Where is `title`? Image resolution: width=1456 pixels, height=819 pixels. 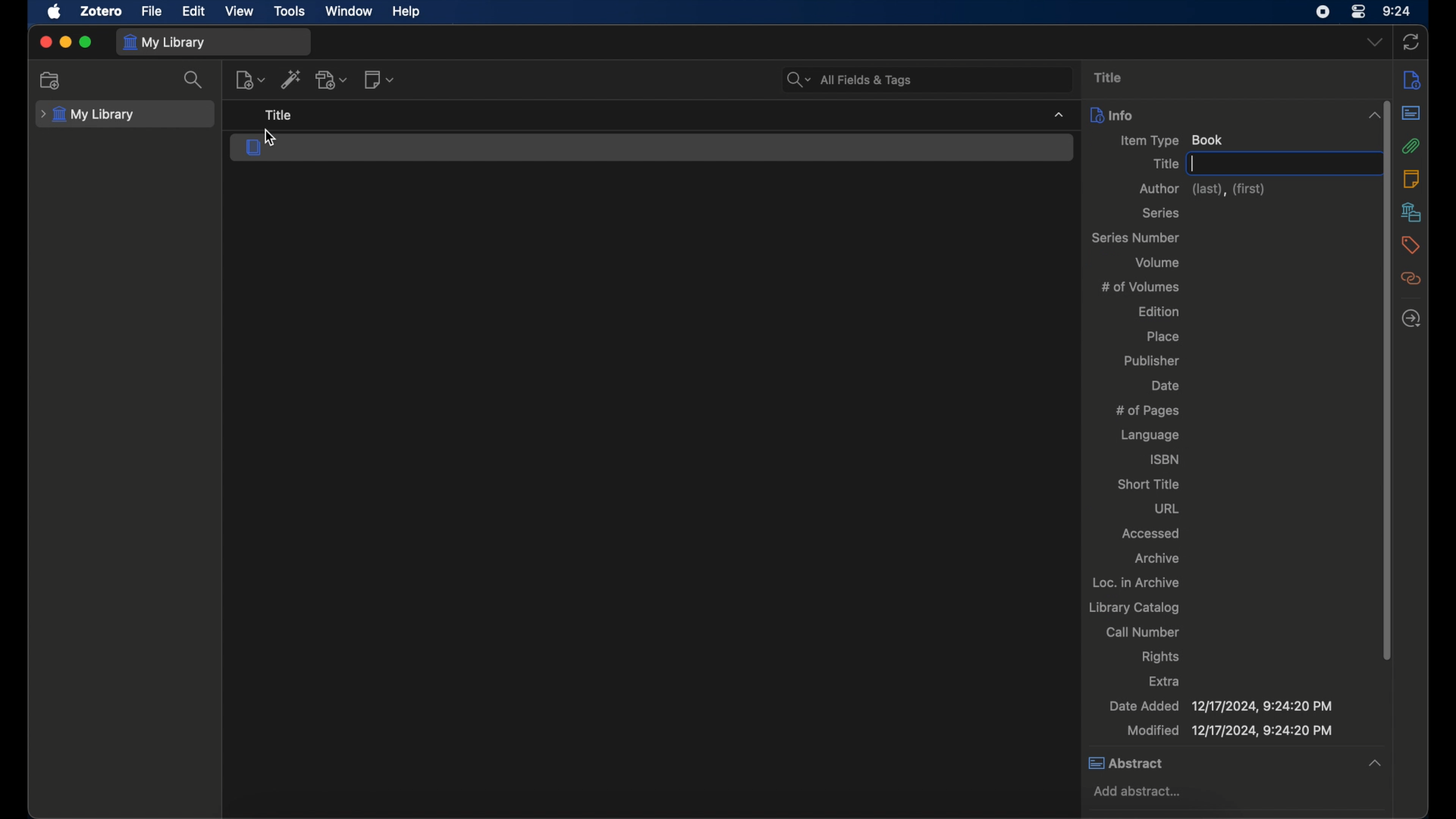
title is located at coordinates (1166, 163).